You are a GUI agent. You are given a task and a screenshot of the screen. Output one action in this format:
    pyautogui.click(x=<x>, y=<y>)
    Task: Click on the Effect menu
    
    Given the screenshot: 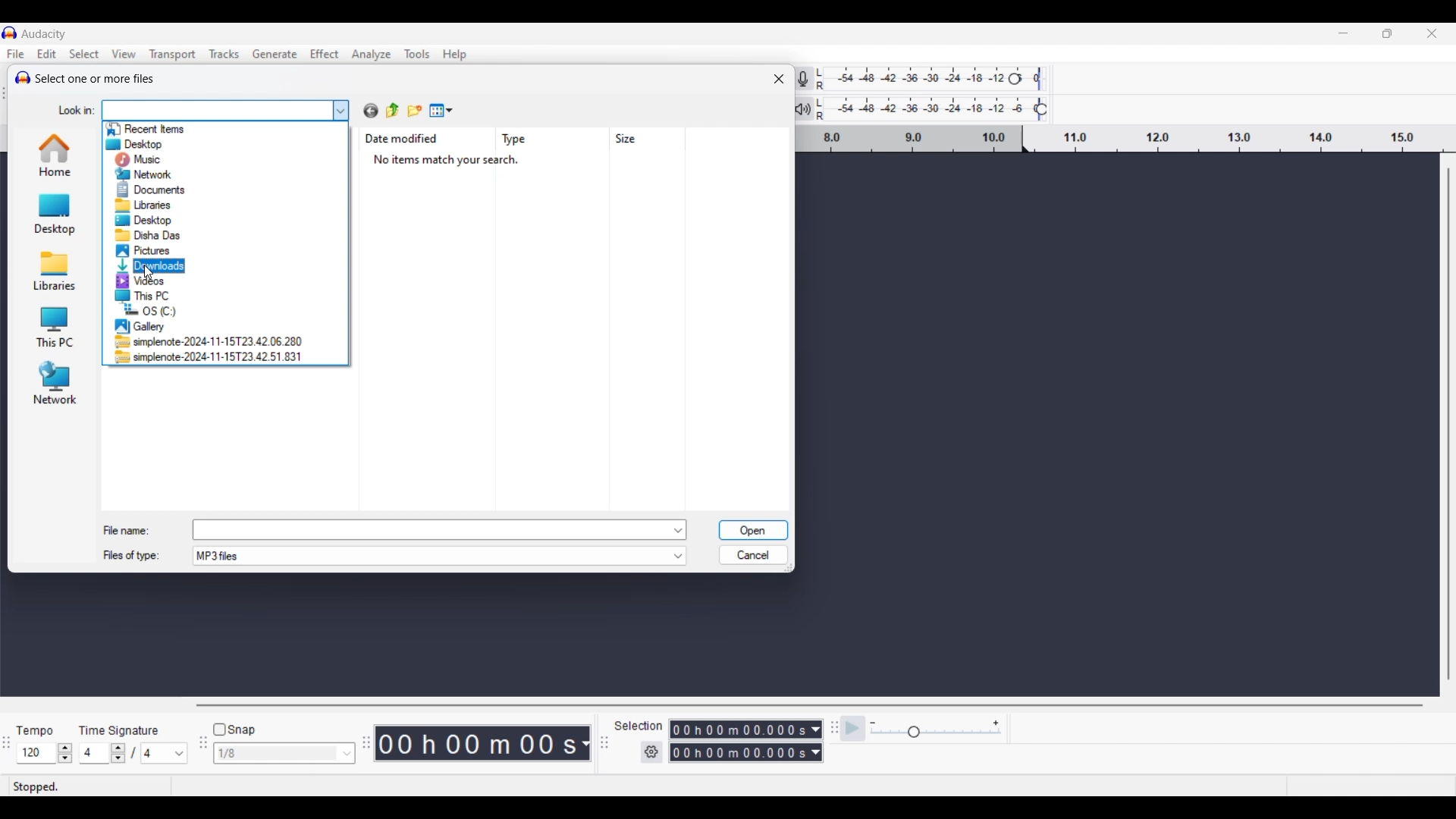 What is the action you would take?
    pyautogui.click(x=325, y=54)
    